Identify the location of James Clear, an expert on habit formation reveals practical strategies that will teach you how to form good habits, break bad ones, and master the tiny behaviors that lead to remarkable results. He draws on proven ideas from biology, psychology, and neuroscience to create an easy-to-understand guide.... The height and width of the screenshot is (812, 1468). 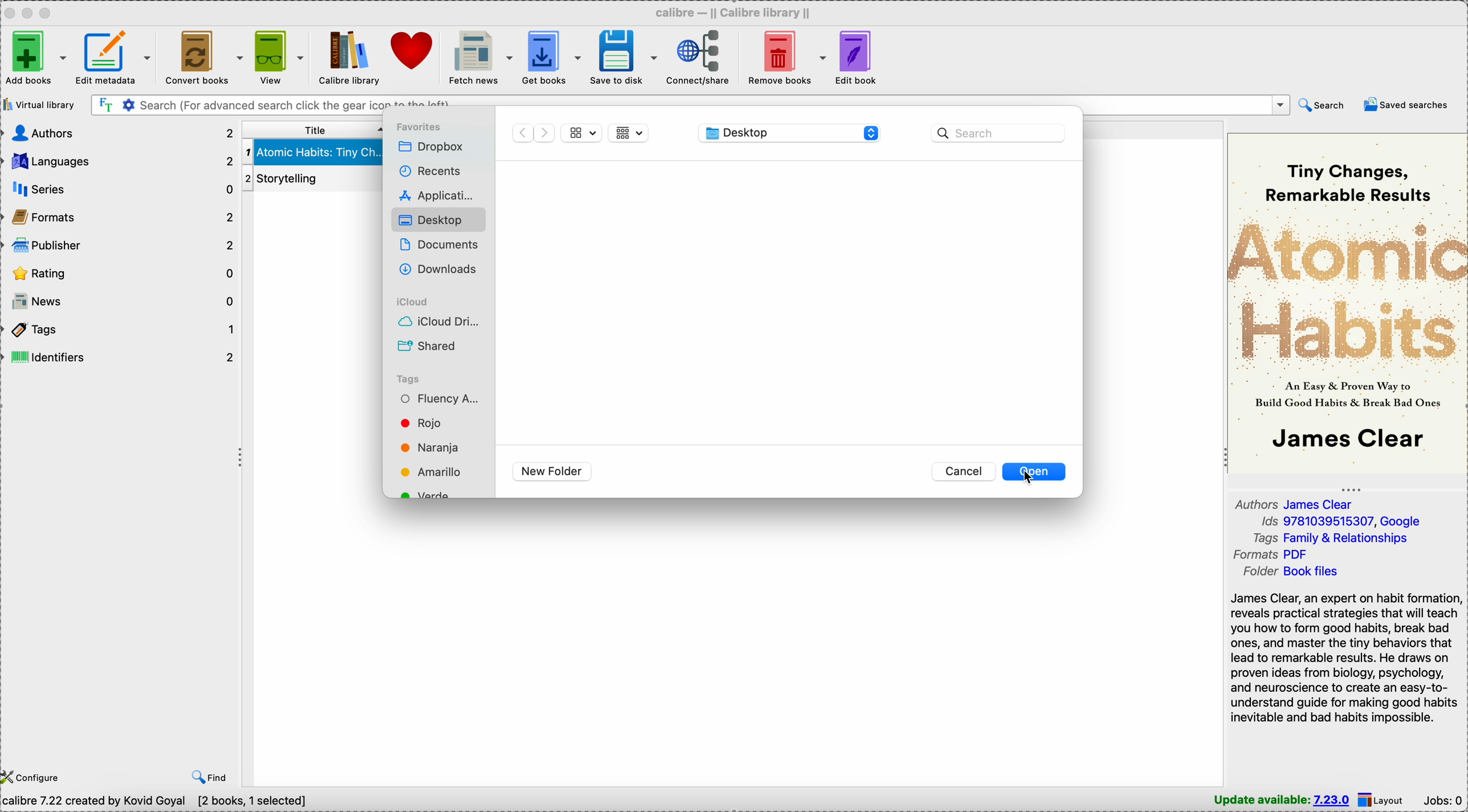
(1346, 659).